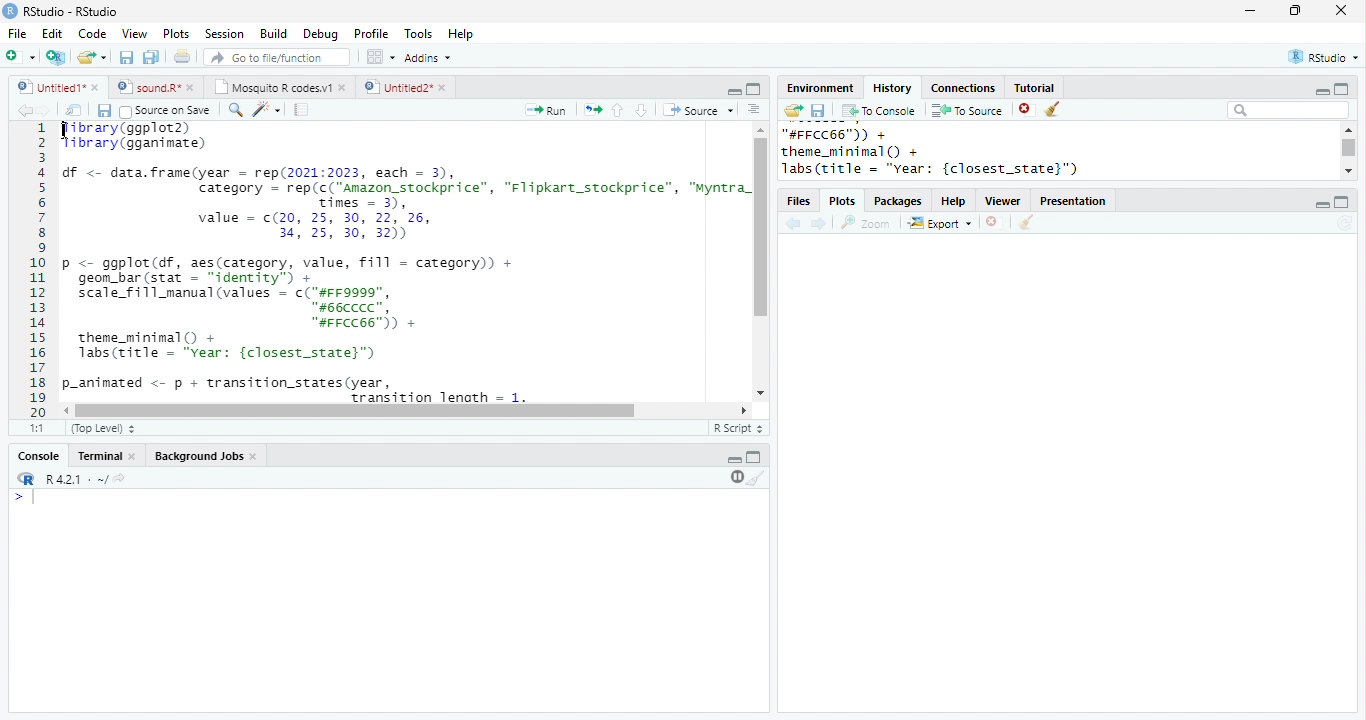 This screenshot has height=720, width=1366. I want to click on To Source, so click(967, 110).